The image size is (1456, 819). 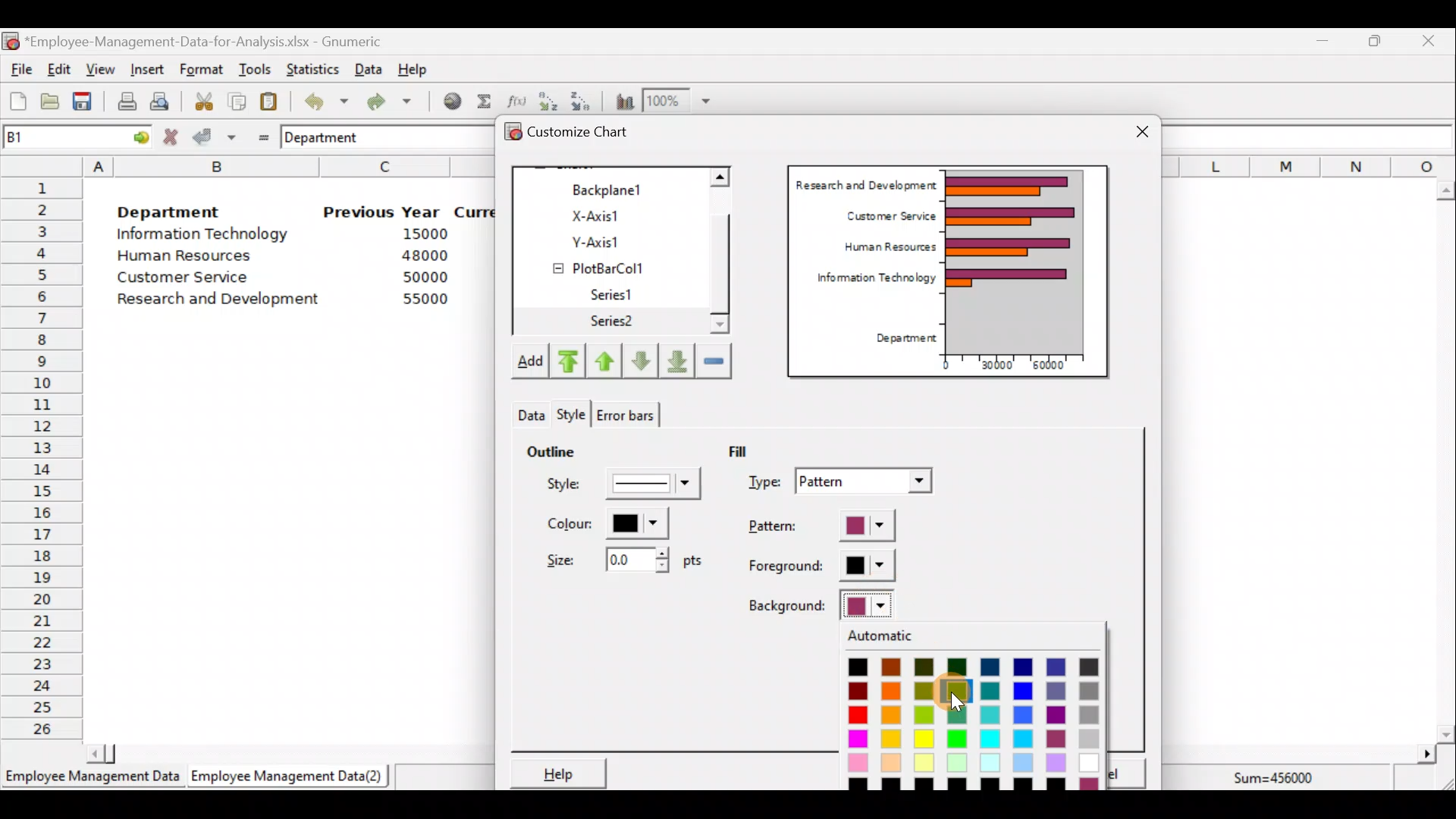 What do you see at coordinates (883, 248) in the screenshot?
I see `Human Resources` at bounding box center [883, 248].